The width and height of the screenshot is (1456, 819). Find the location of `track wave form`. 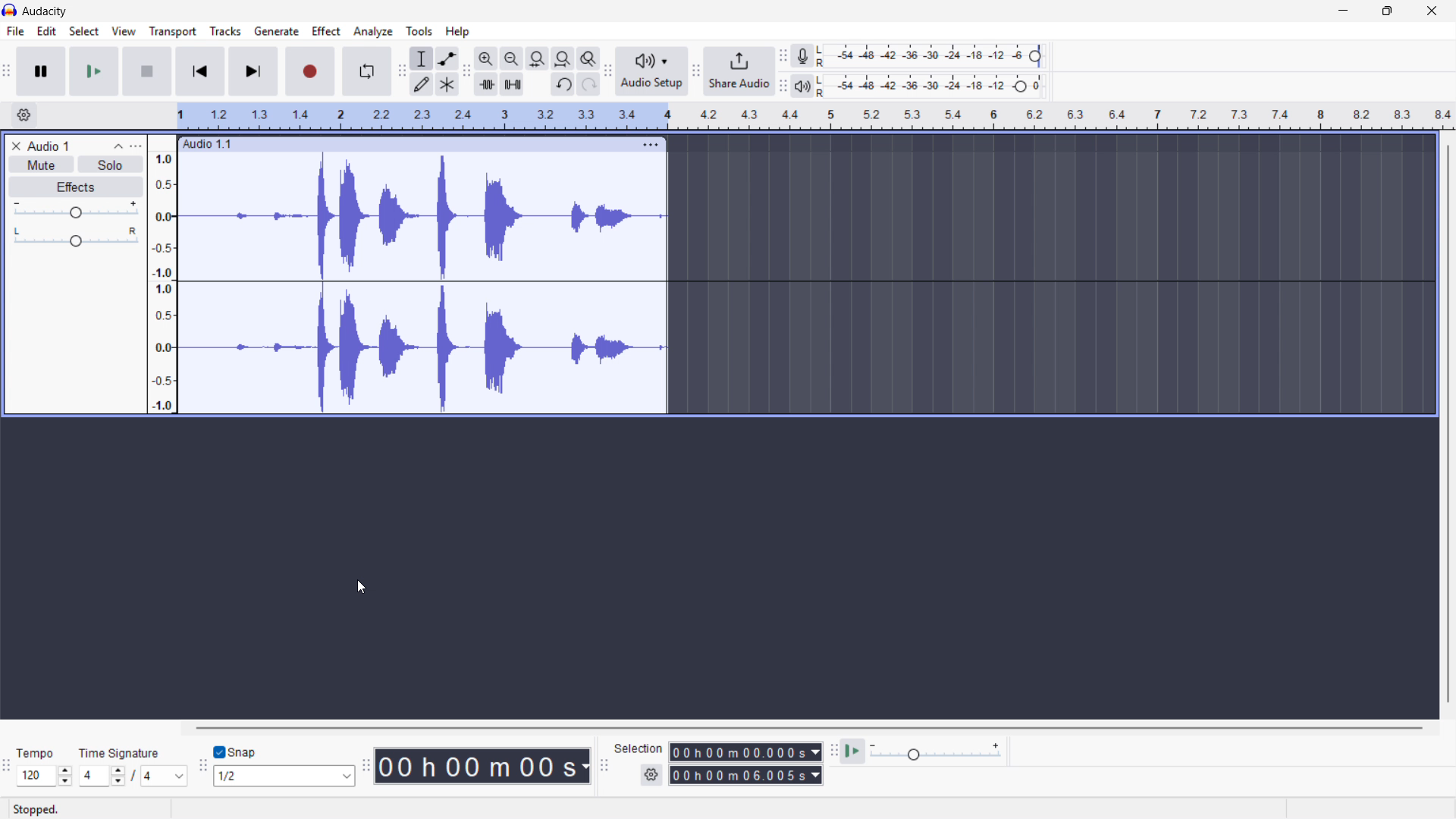

track wave form is located at coordinates (422, 217).